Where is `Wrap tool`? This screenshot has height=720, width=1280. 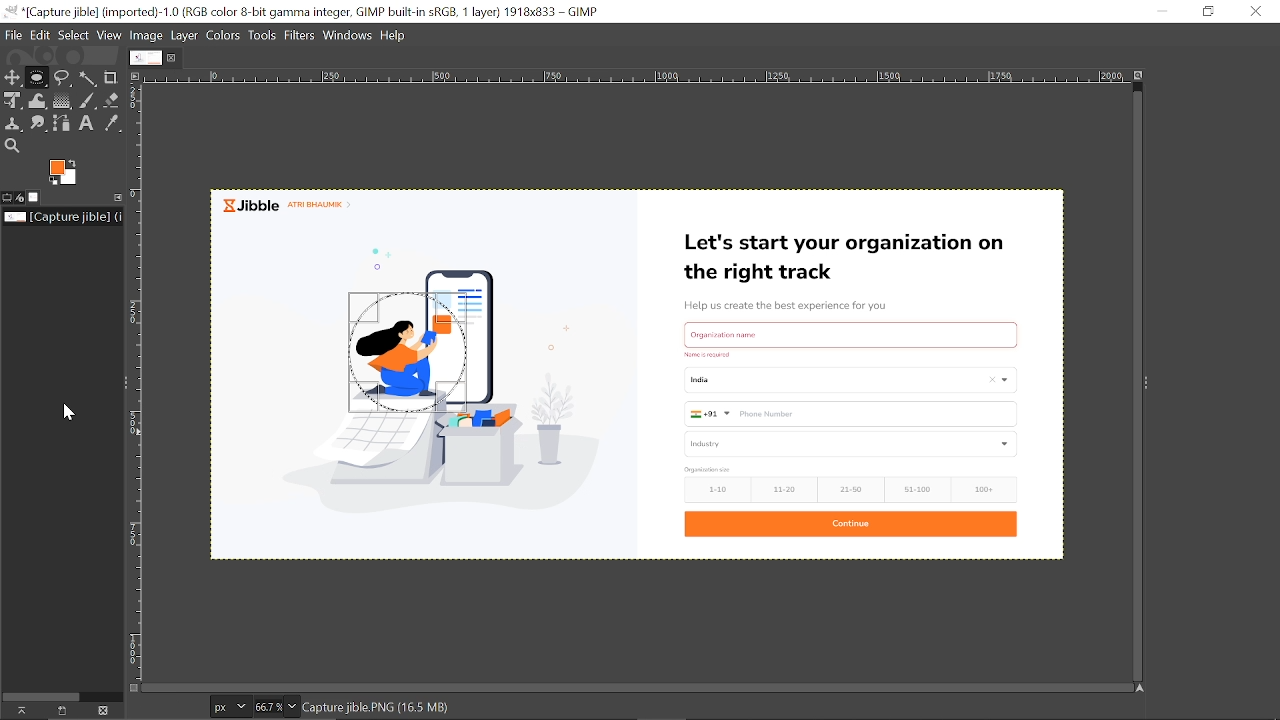 Wrap tool is located at coordinates (38, 100).